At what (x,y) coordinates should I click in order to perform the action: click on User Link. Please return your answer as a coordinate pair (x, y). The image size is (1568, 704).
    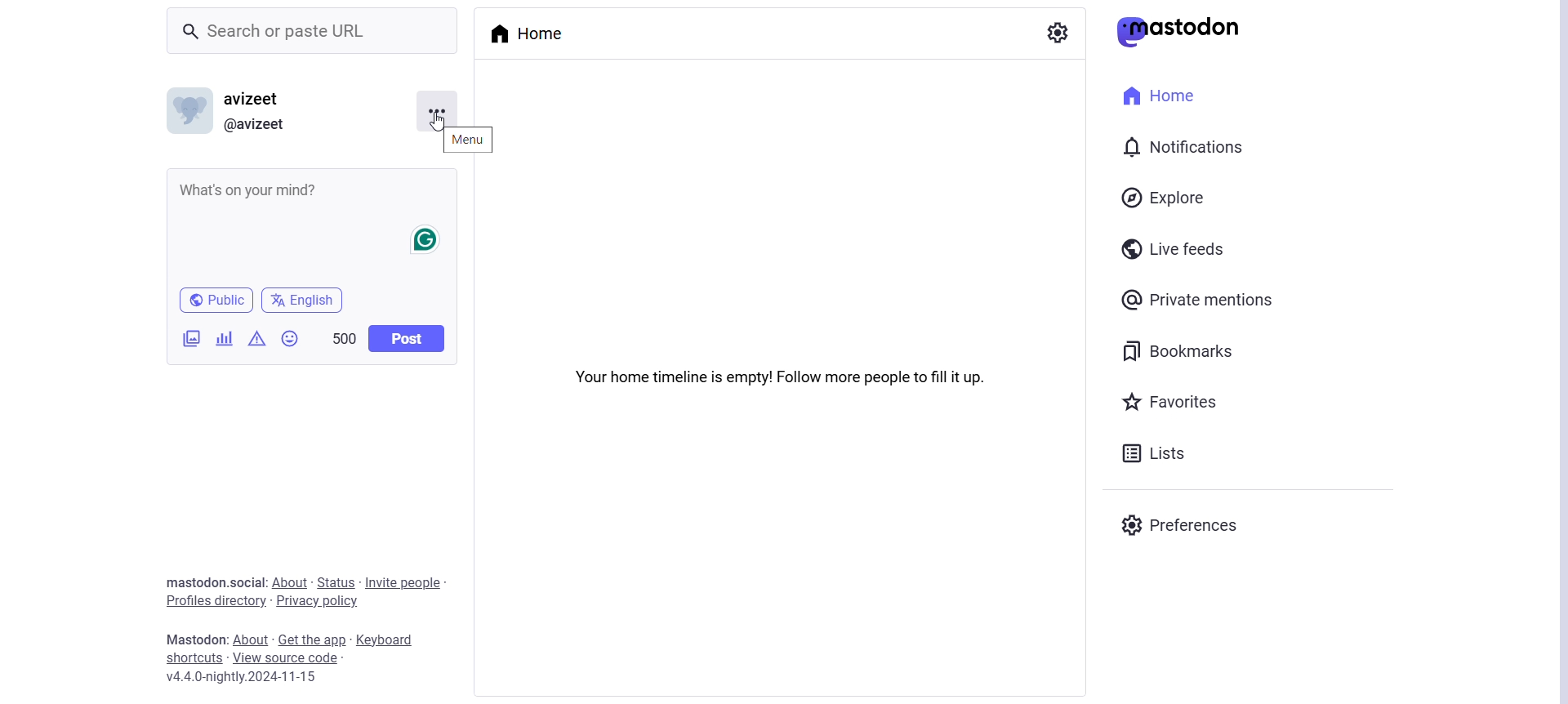
    Looking at the image, I should click on (256, 125).